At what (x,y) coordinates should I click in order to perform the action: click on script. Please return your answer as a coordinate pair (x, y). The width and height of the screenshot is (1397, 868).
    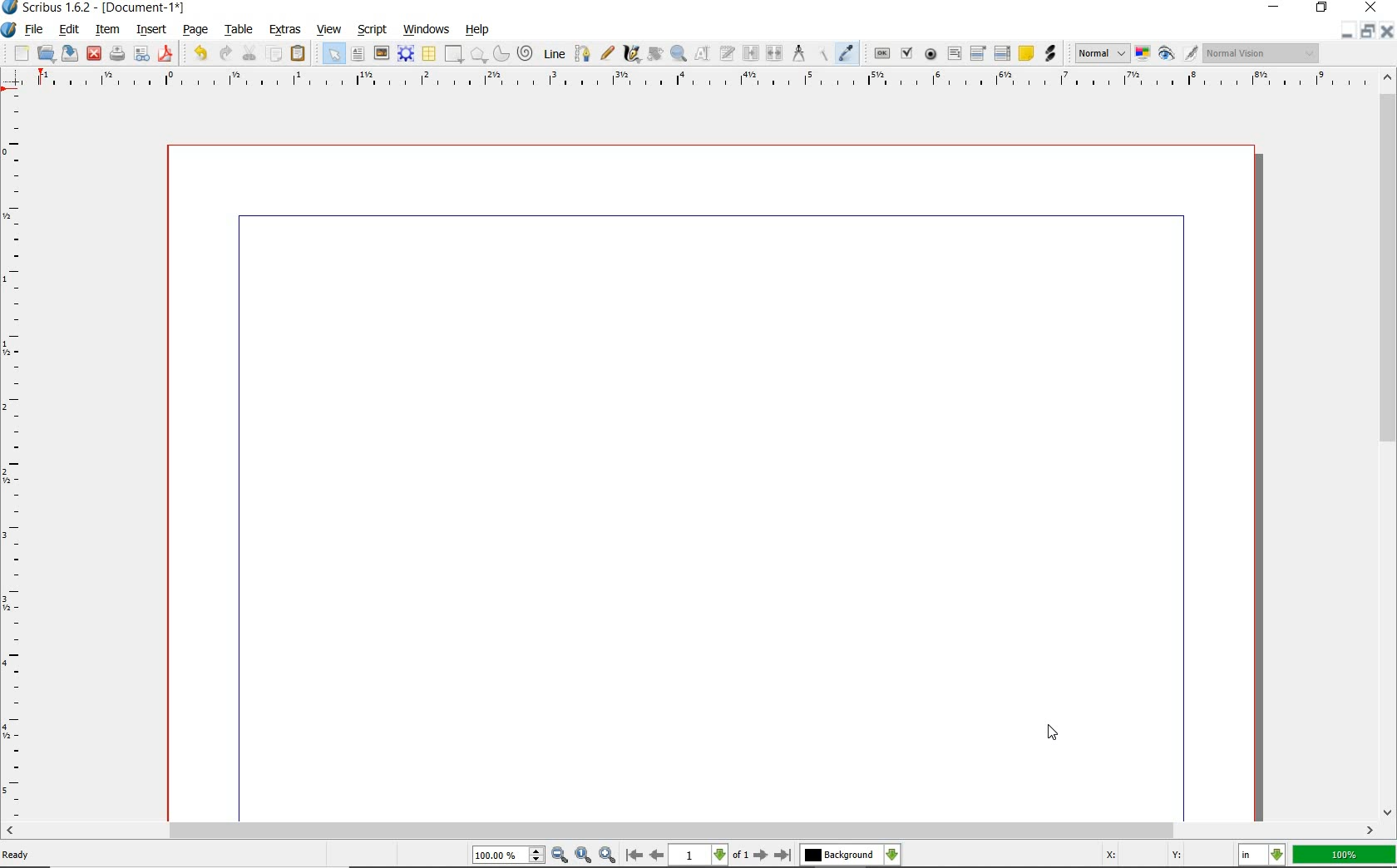
    Looking at the image, I should click on (375, 30).